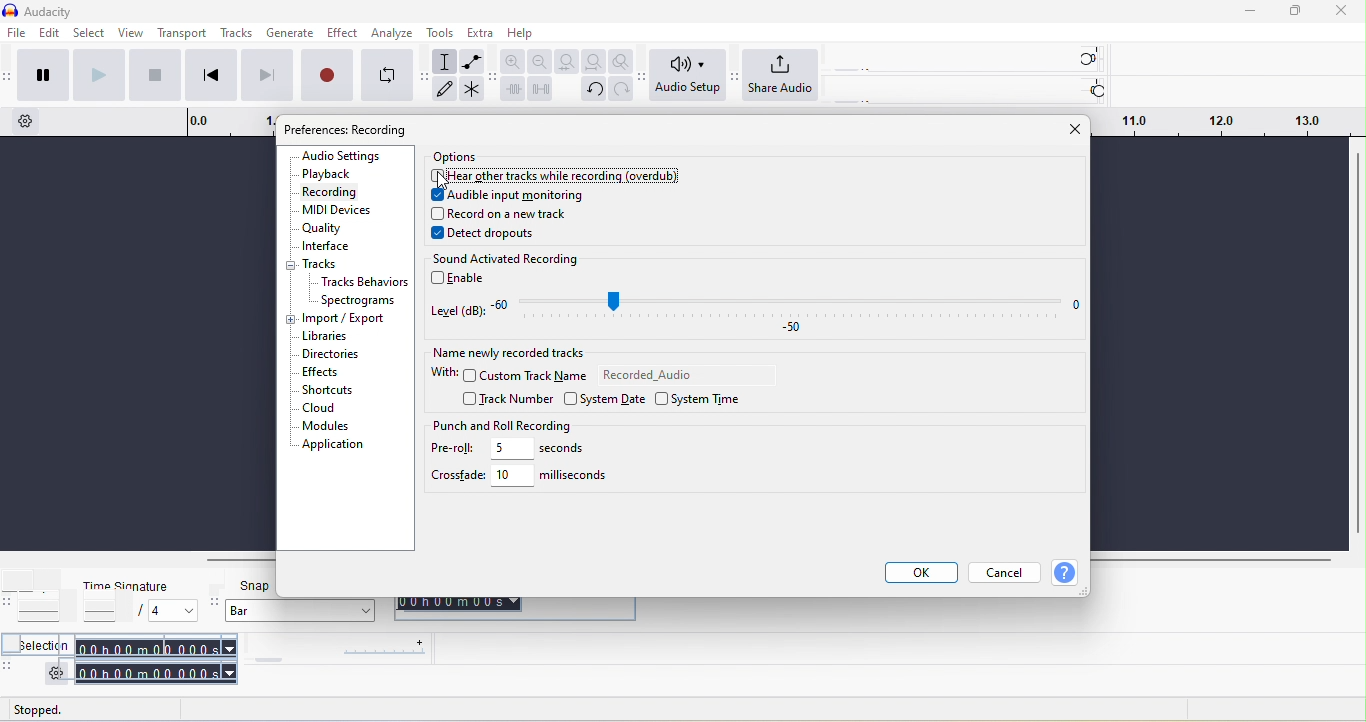 The image size is (1366, 722). I want to click on 5 seconds, so click(546, 449).